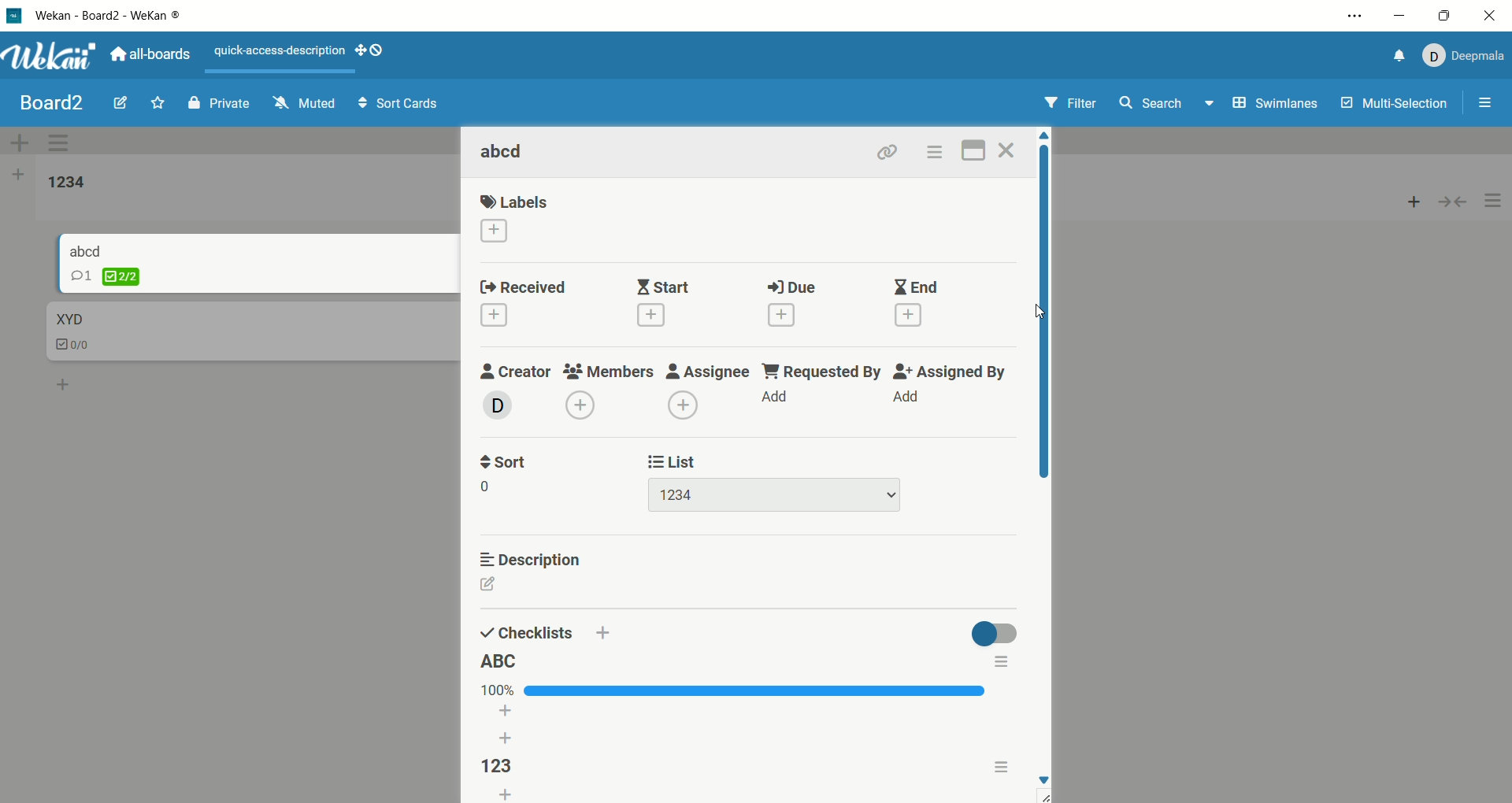 The width and height of the screenshot is (1512, 803). Describe the element at coordinates (493, 231) in the screenshot. I see `add` at that location.